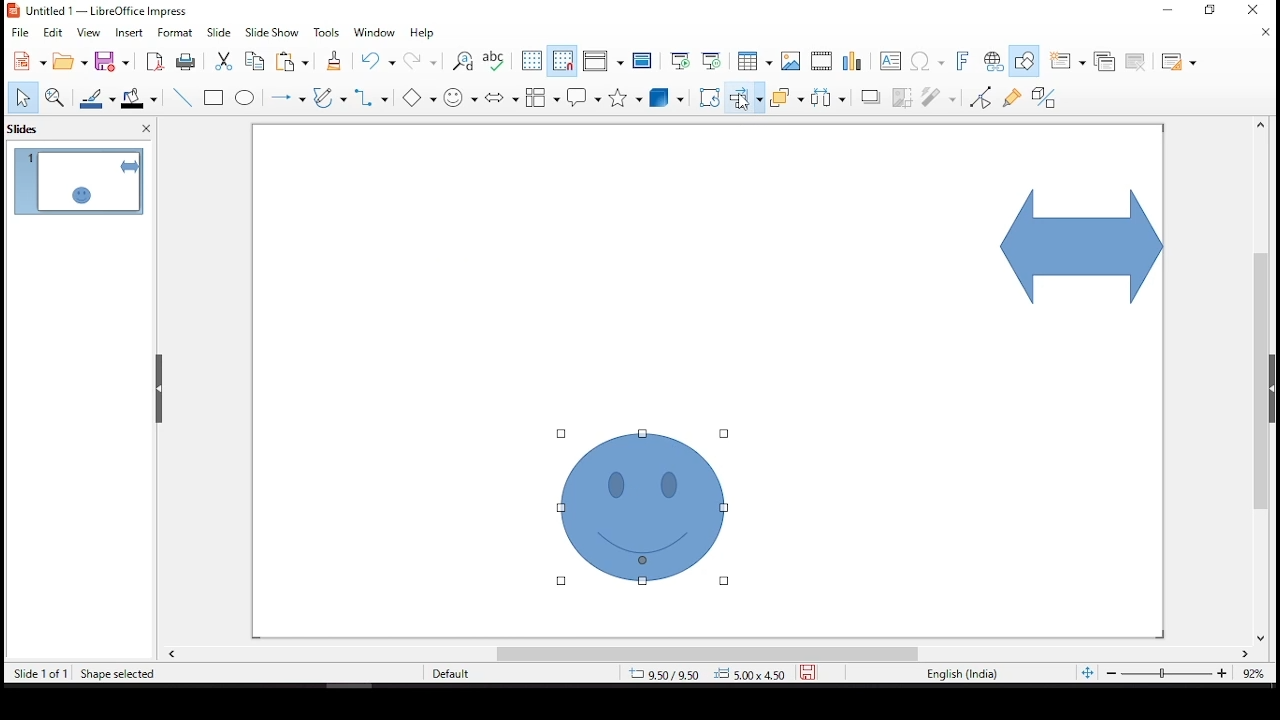 The image size is (1280, 720). What do you see at coordinates (1267, 381) in the screenshot?
I see `scroll bar` at bounding box center [1267, 381].